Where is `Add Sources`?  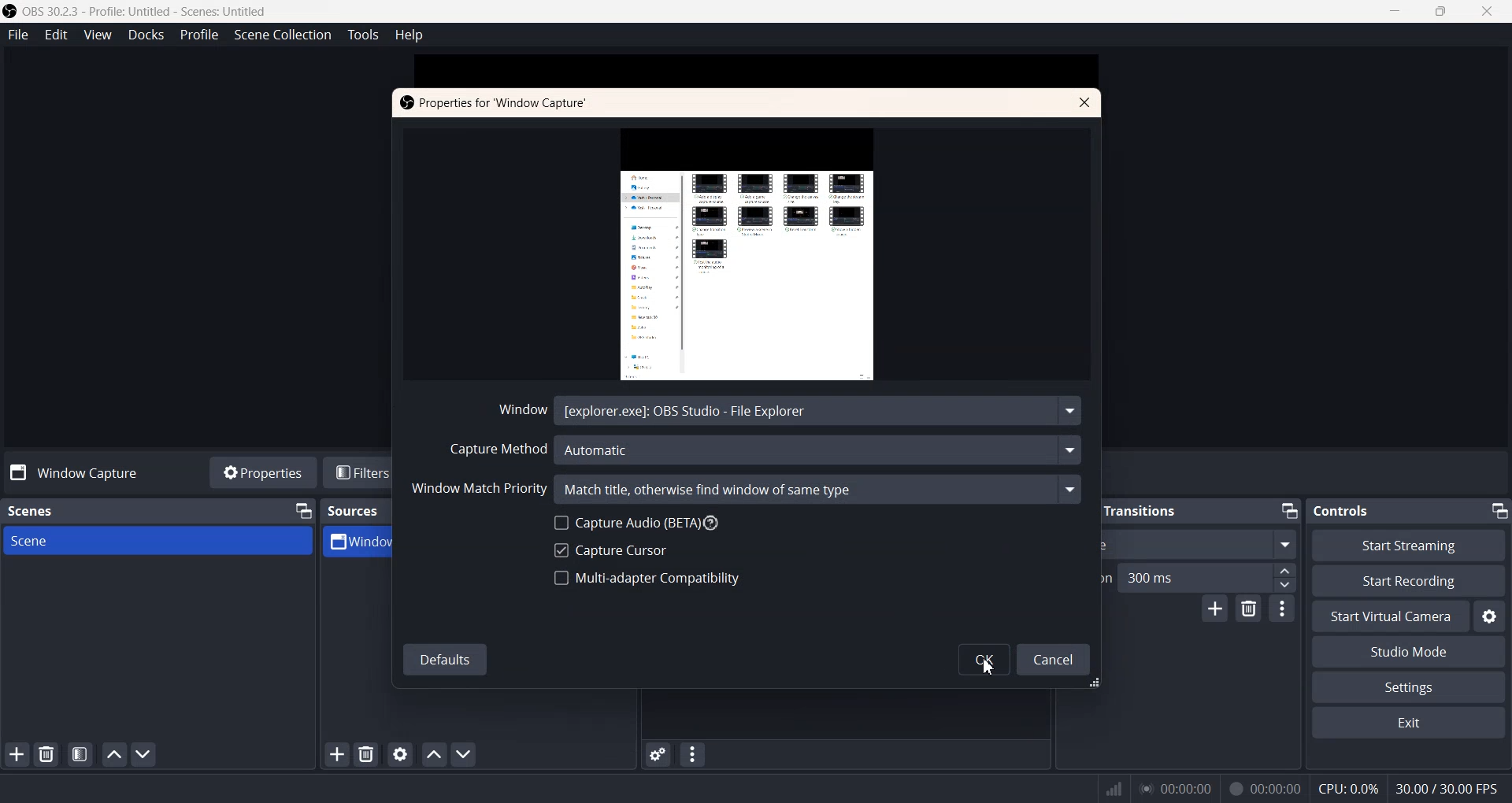 Add Sources is located at coordinates (338, 753).